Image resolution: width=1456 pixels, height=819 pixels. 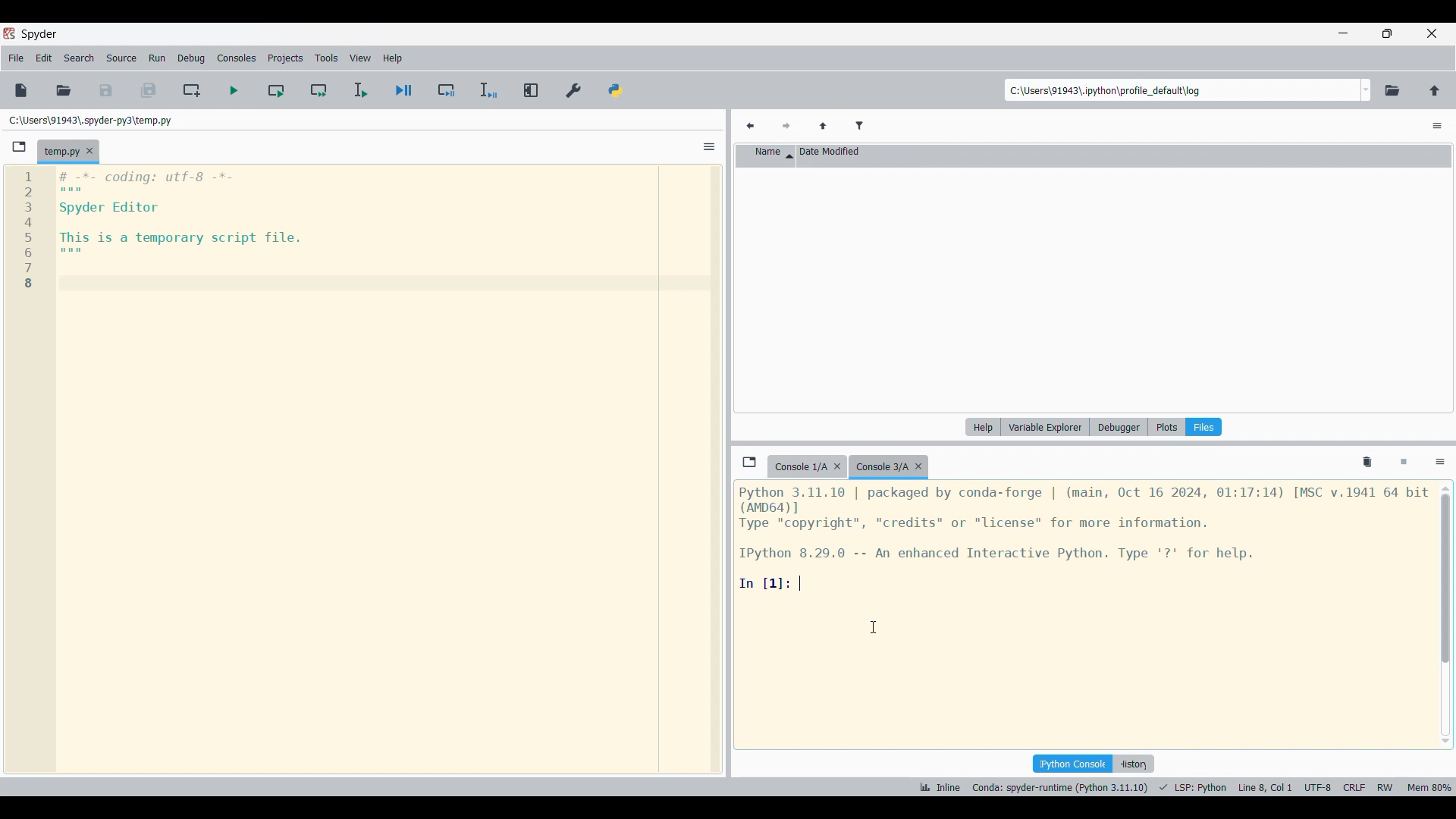 What do you see at coordinates (1444, 276) in the screenshot?
I see `scrollbar` at bounding box center [1444, 276].